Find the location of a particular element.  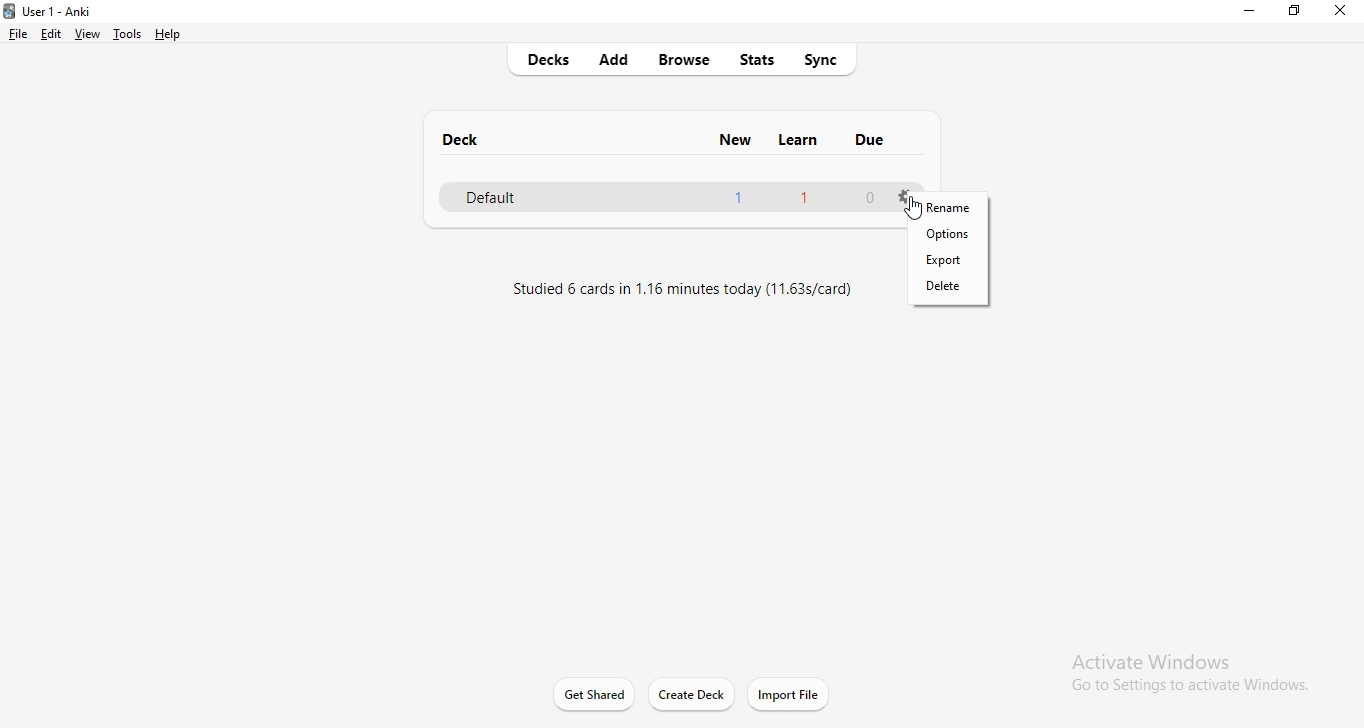

close is located at coordinates (1338, 14).